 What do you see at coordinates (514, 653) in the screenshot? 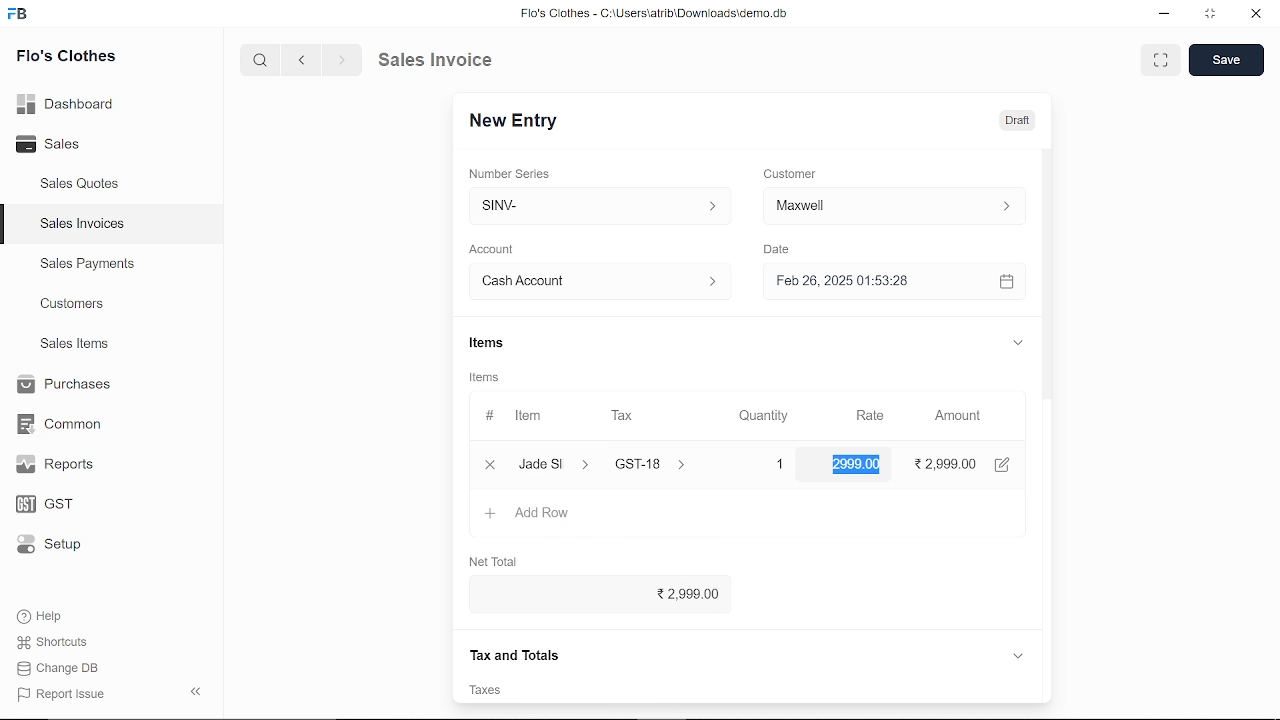
I see `References` at bounding box center [514, 653].